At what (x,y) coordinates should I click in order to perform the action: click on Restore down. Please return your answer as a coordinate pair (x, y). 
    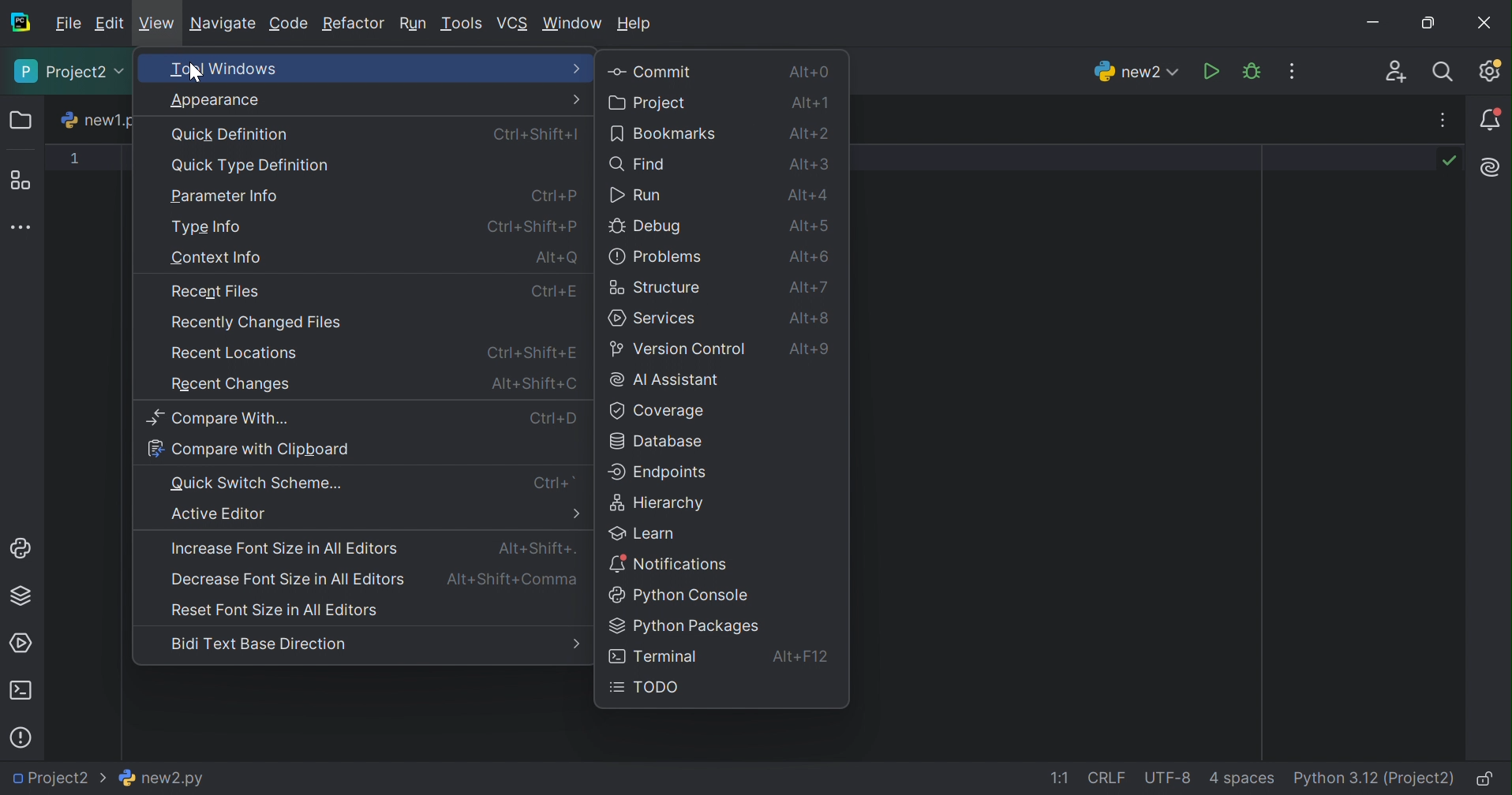
    Looking at the image, I should click on (1428, 24).